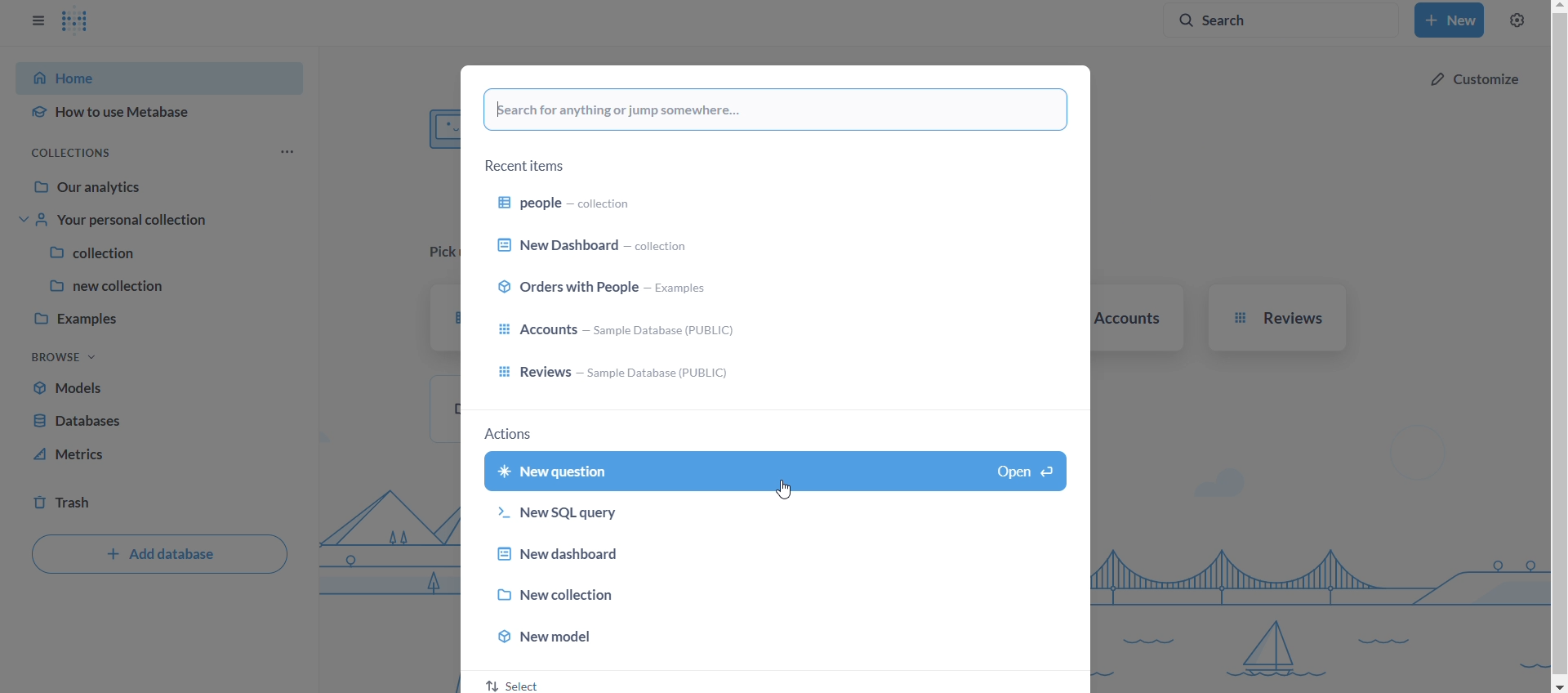 This screenshot has height=693, width=1568. Describe the element at coordinates (1517, 20) in the screenshot. I see `settings` at that location.